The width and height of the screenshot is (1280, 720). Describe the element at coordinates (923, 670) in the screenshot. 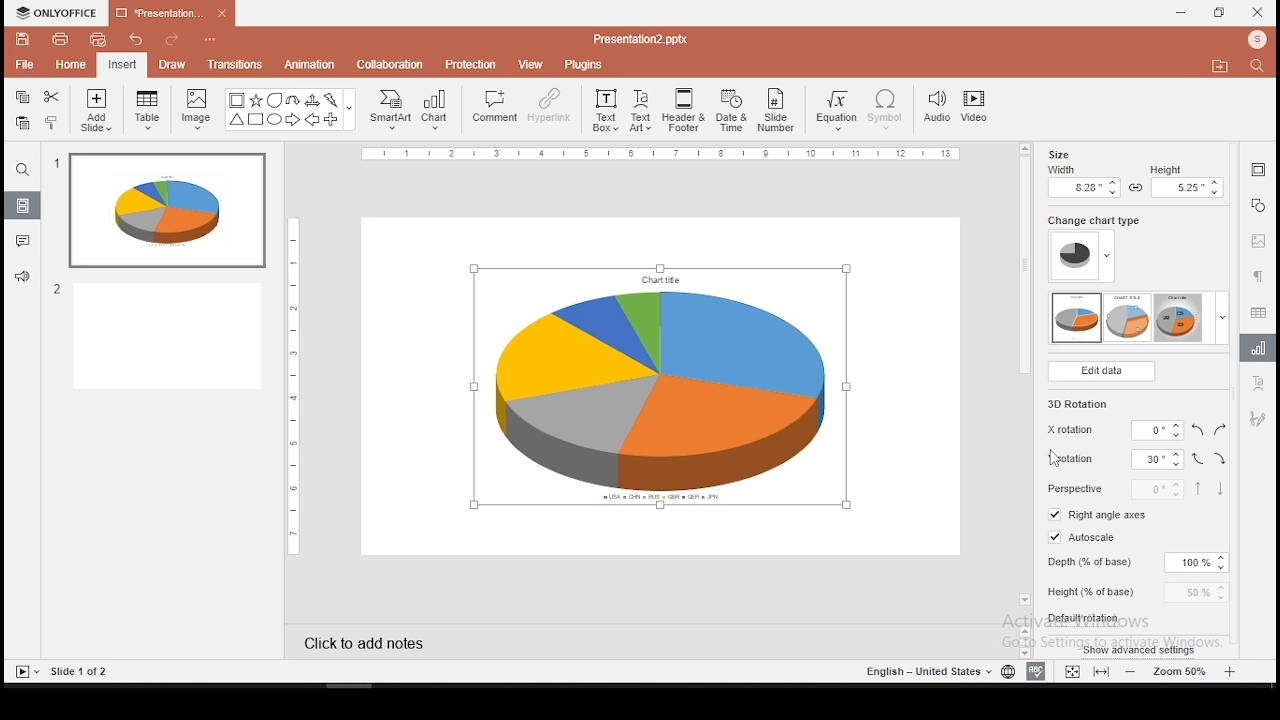

I see `English` at that location.